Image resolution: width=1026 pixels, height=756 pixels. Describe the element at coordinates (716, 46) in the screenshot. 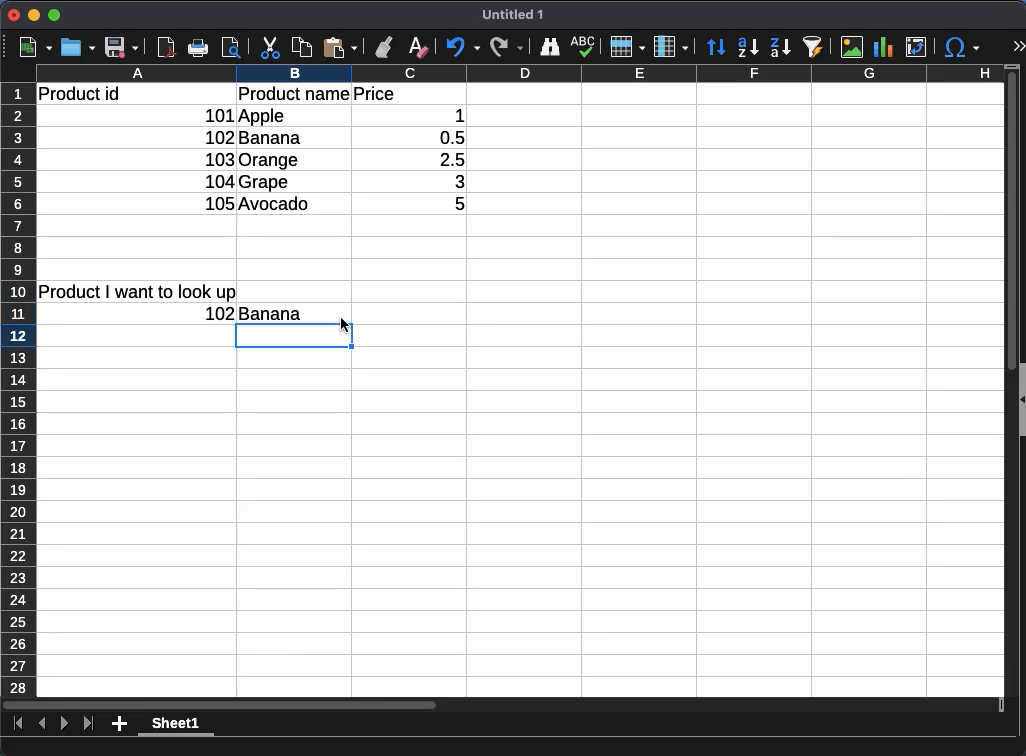

I see `sort` at that location.